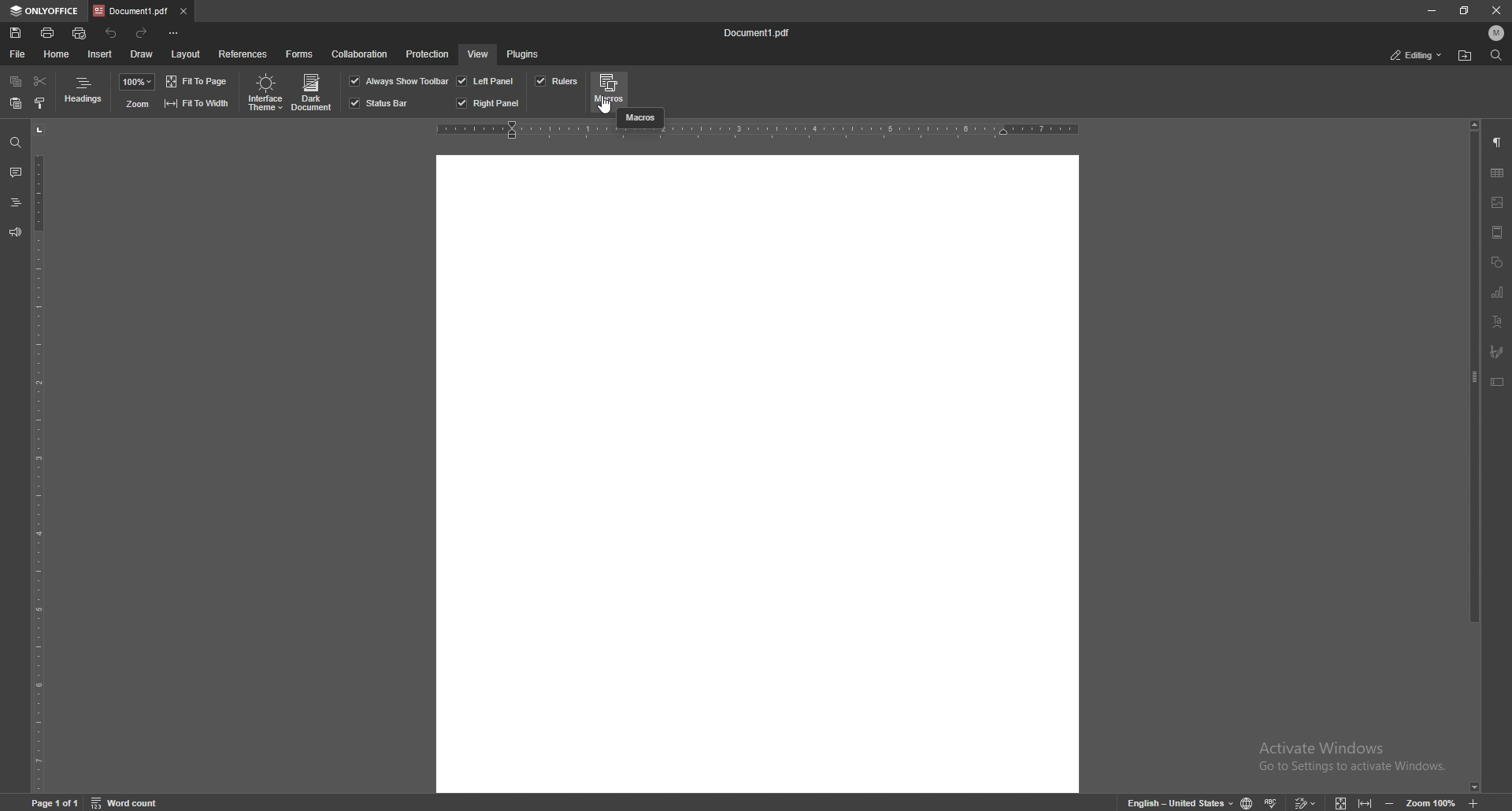  What do you see at coordinates (1497, 292) in the screenshot?
I see `chart` at bounding box center [1497, 292].